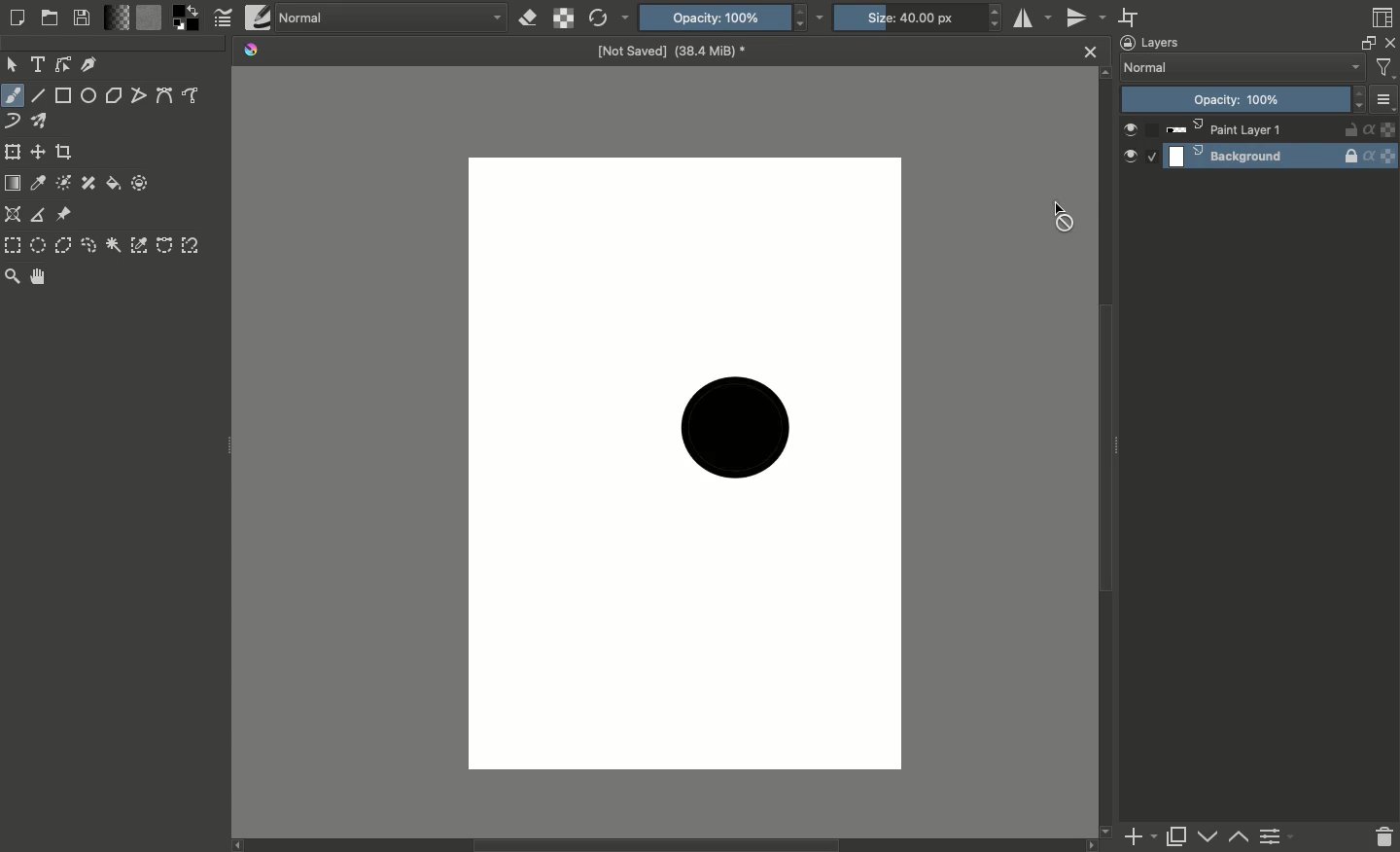 The width and height of the screenshot is (1400, 852). Describe the element at coordinates (1386, 68) in the screenshot. I see `Sorting and filtering` at that location.